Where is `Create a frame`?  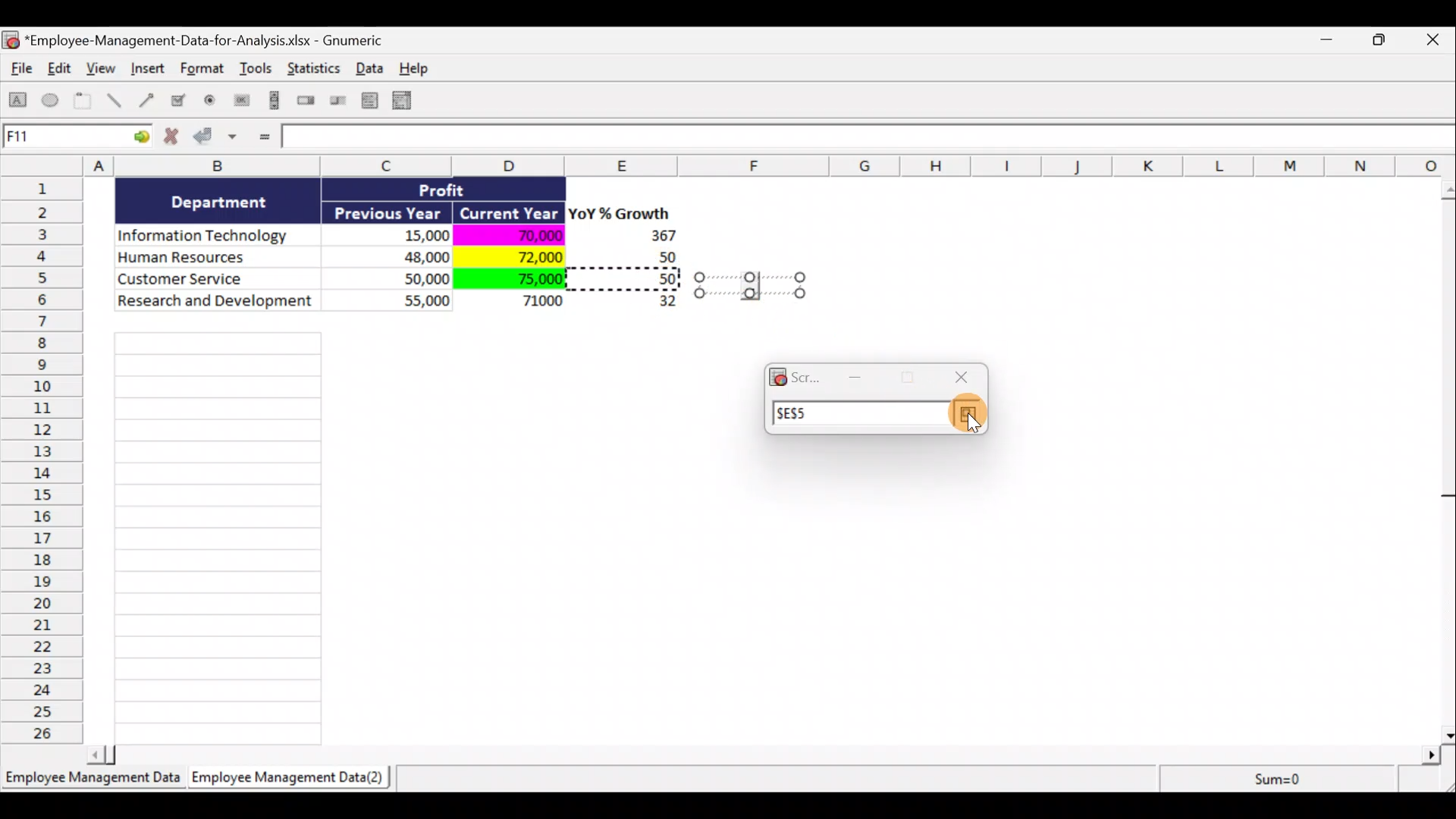
Create a frame is located at coordinates (83, 102).